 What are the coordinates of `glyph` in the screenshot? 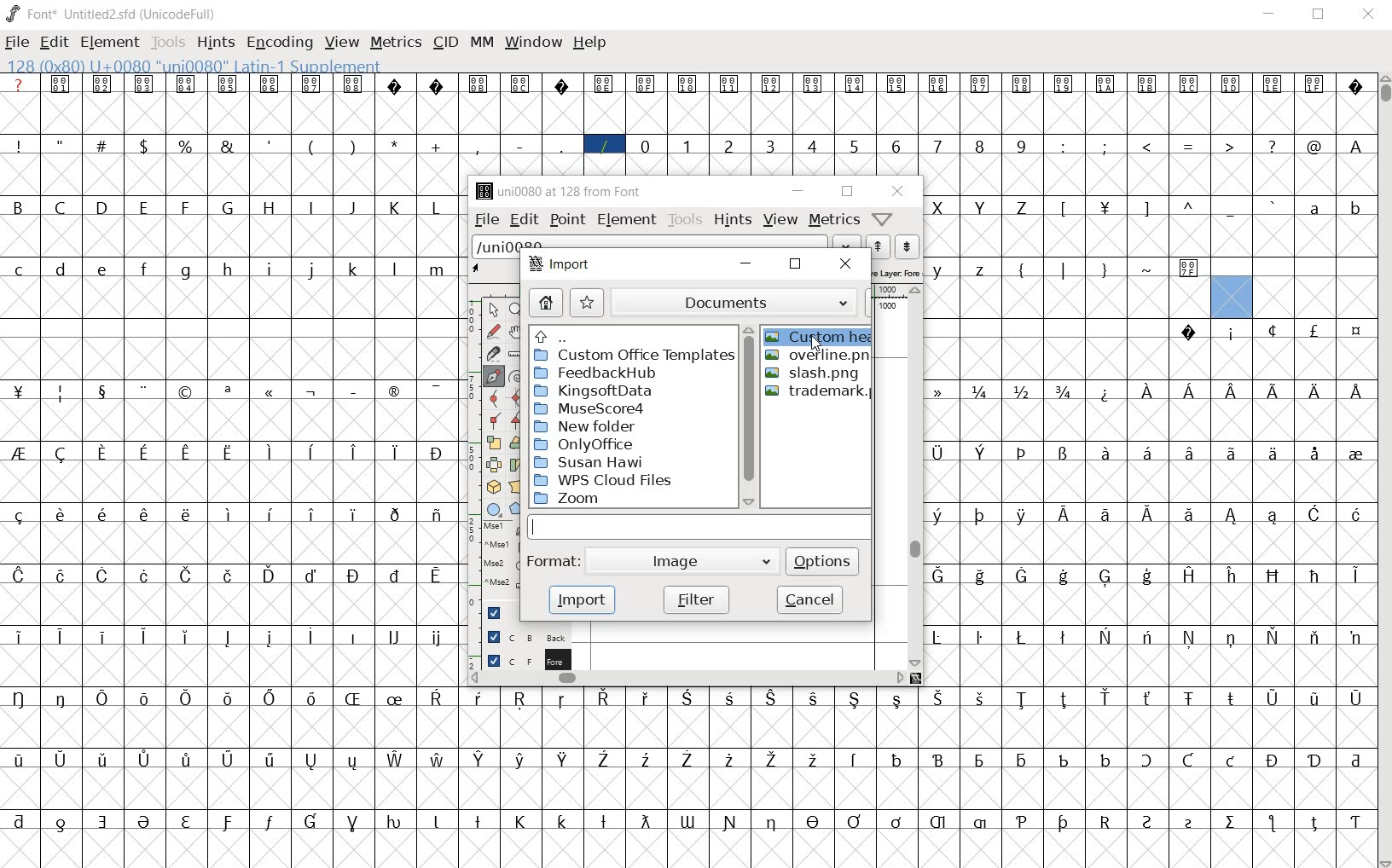 It's located at (1020, 272).